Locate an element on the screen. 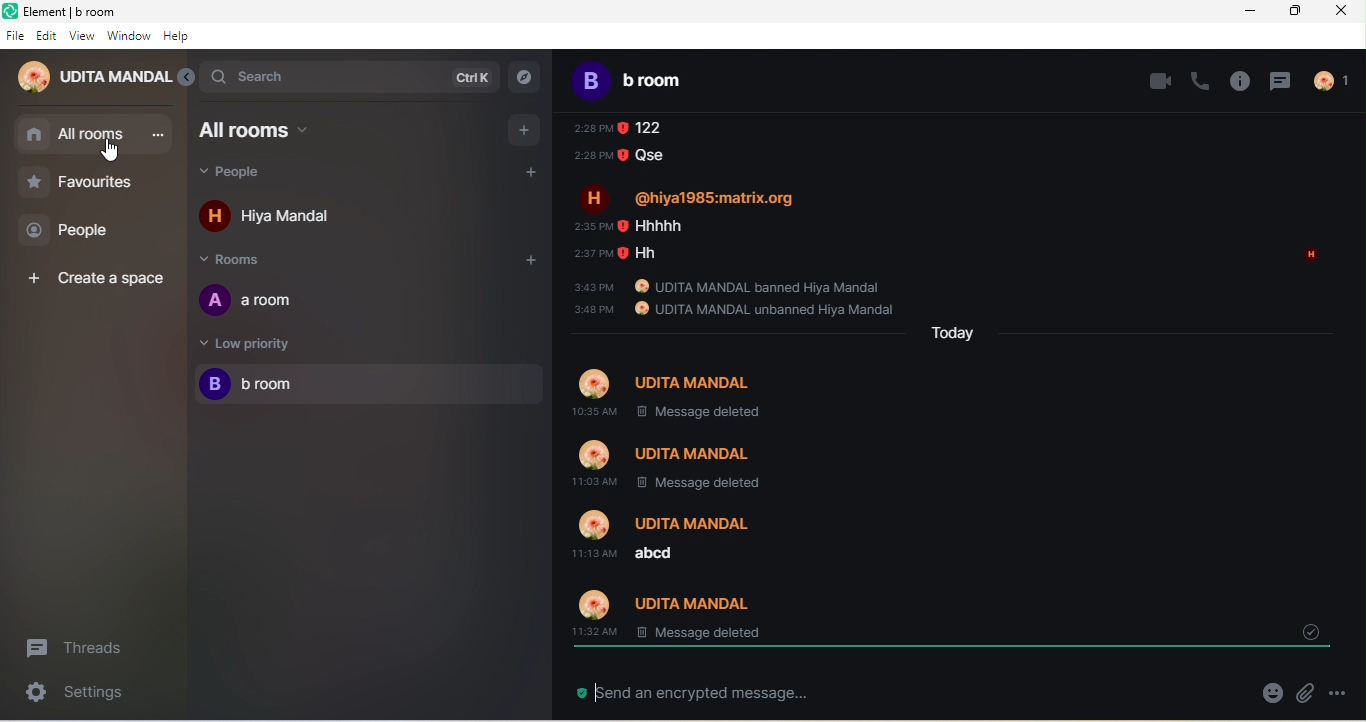  all rooms is located at coordinates (286, 129).